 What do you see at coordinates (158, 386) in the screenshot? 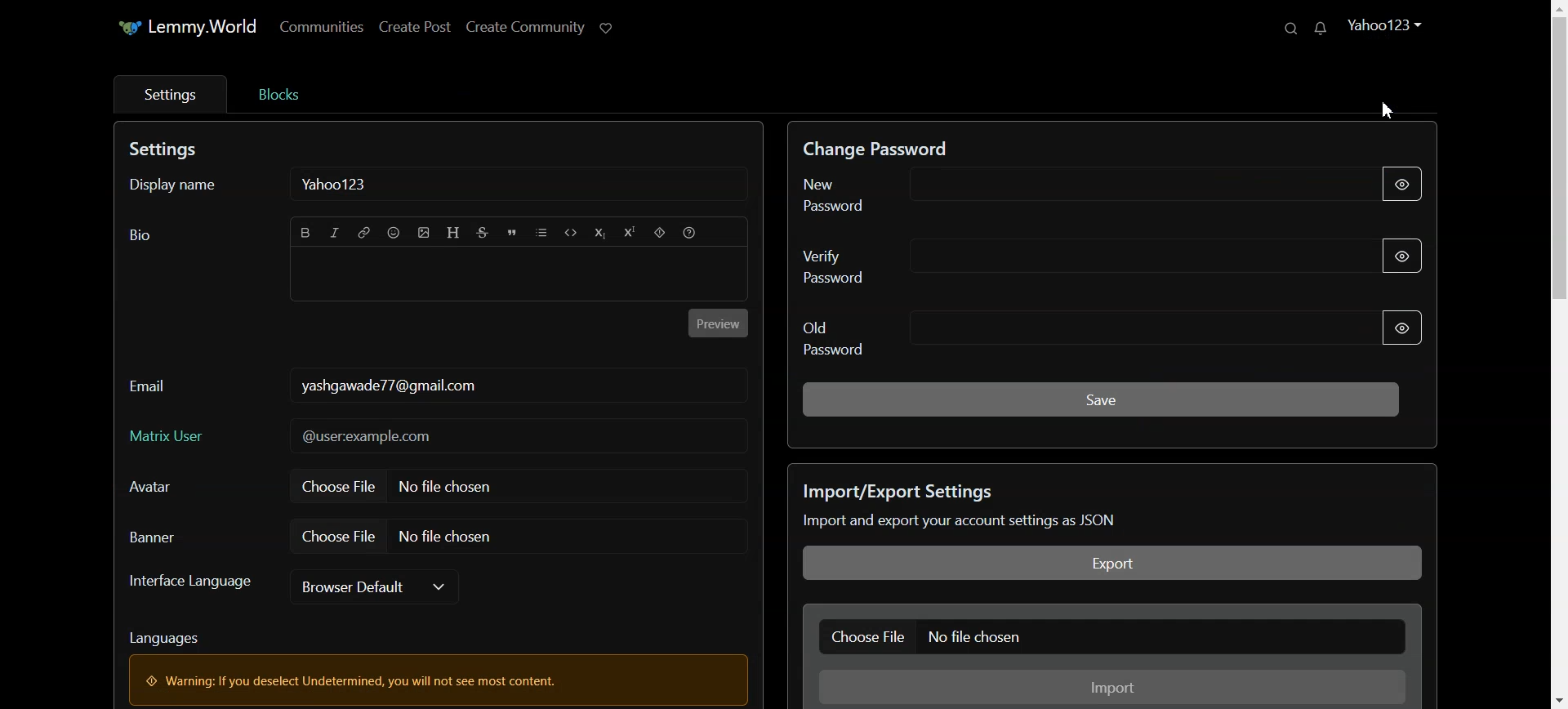
I see `Email` at bounding box center [158, 386].